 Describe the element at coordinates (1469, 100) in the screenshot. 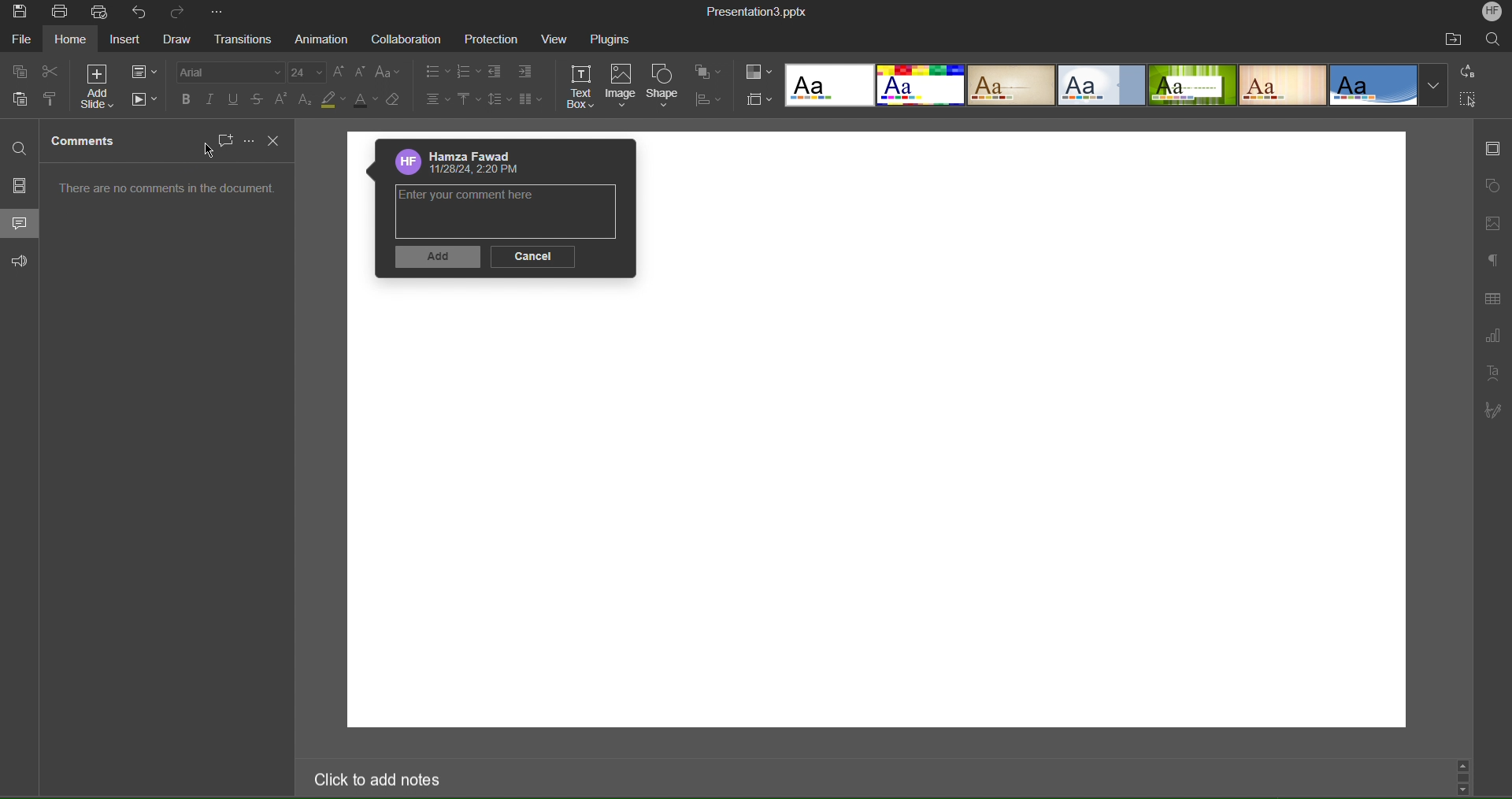

I see `Select All ` at that location.